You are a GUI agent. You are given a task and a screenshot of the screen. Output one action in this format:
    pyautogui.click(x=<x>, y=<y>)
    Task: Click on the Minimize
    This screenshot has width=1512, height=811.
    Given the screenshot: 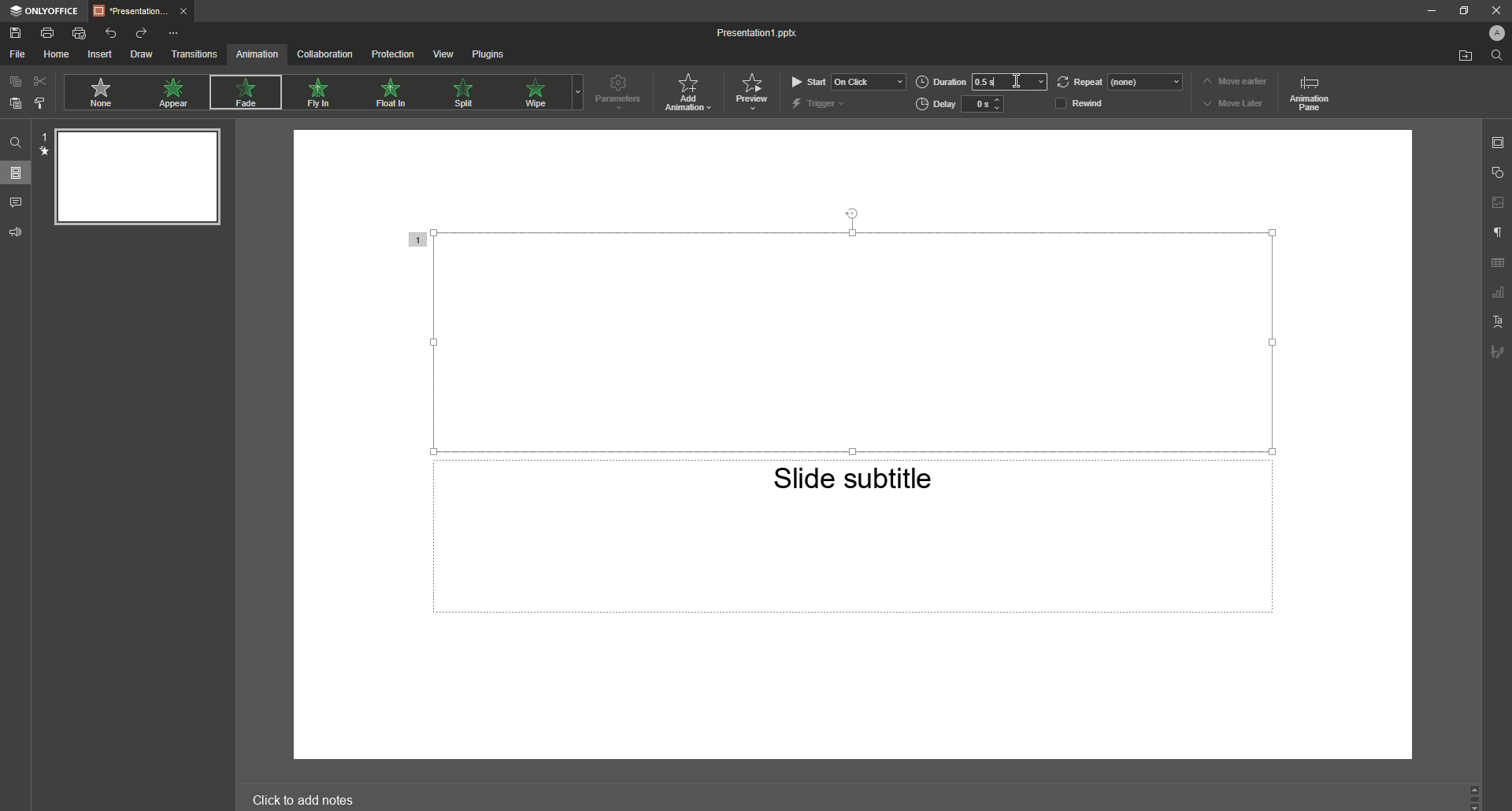 What is the action you would take?
    pyautogui.click(x=1462, y=11)
    